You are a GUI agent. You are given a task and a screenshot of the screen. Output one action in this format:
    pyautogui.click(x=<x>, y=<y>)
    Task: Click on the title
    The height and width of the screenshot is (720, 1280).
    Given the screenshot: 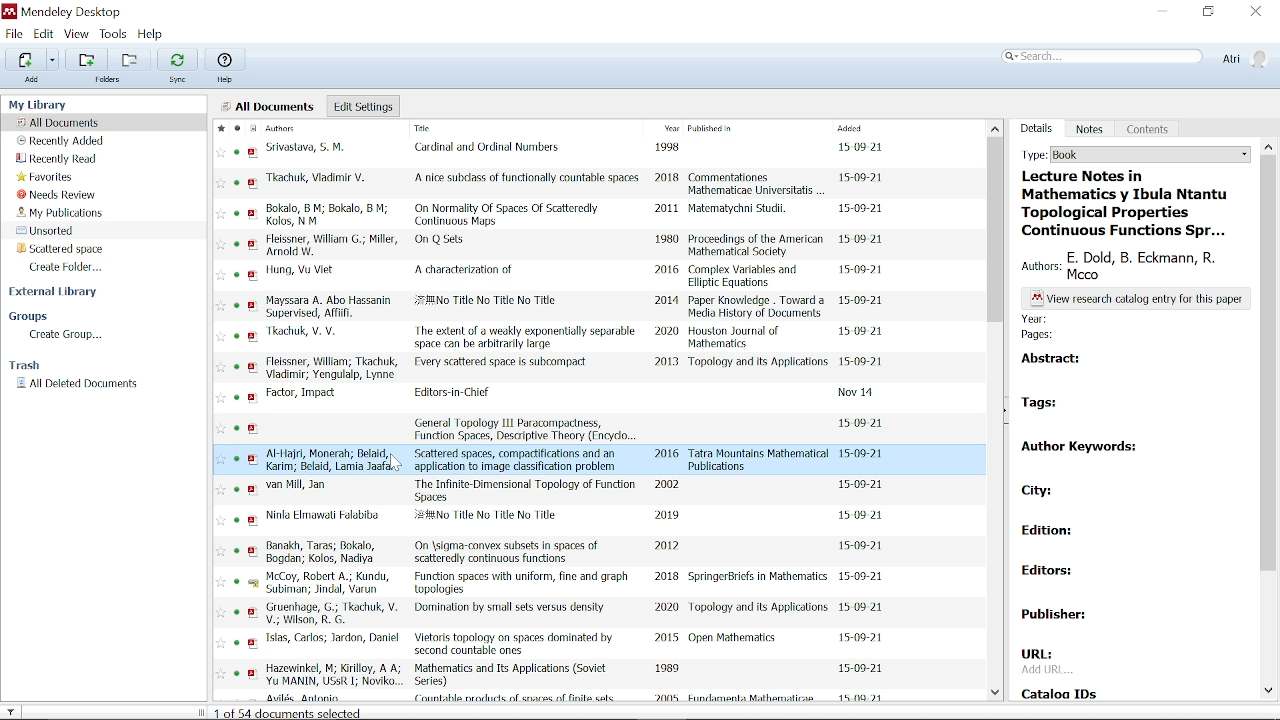 What is the action you would take?
    pyautogui.click(x=454, y=394)
    